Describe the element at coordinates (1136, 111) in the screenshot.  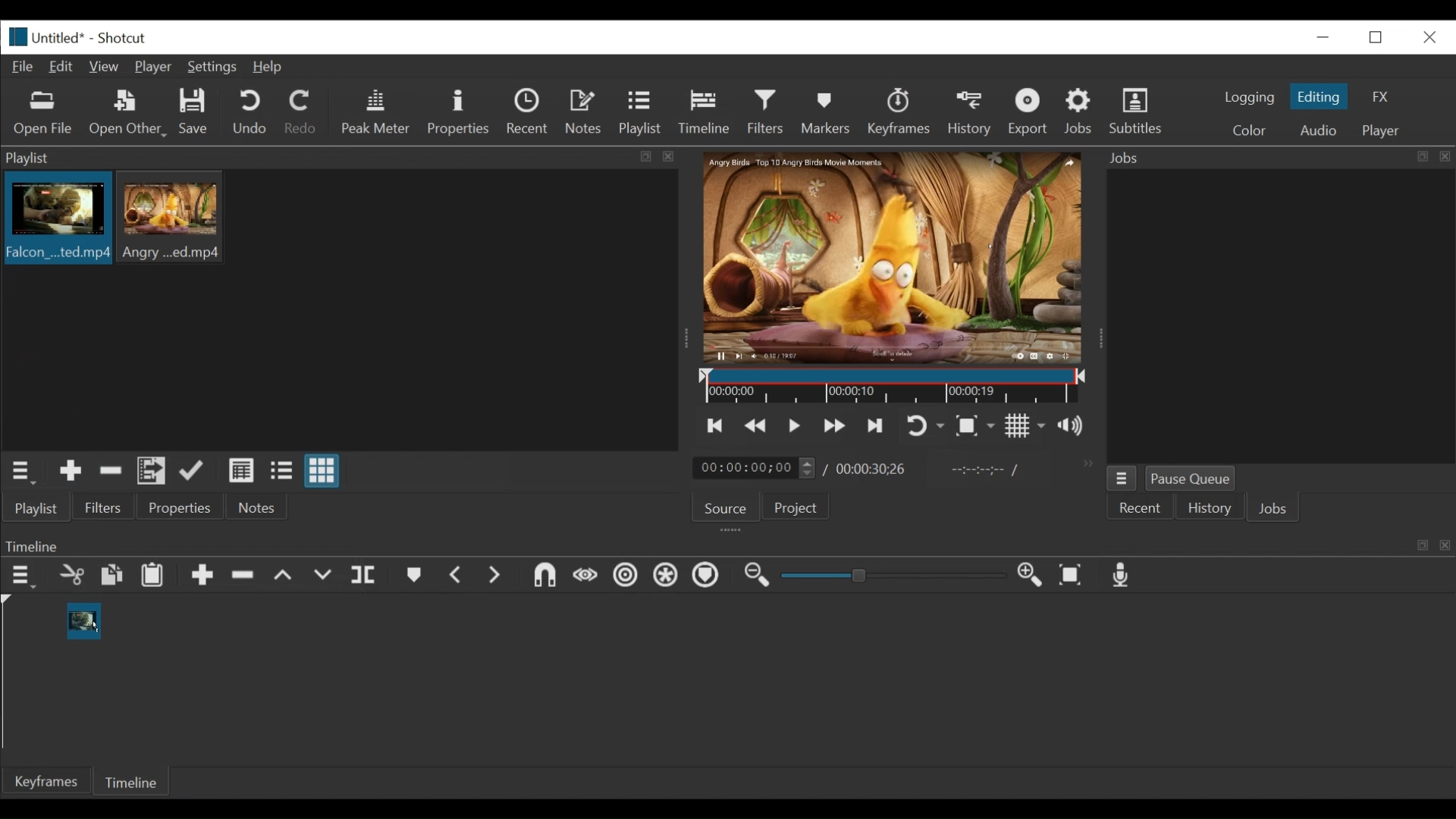
I see `Subtitles` at that location.